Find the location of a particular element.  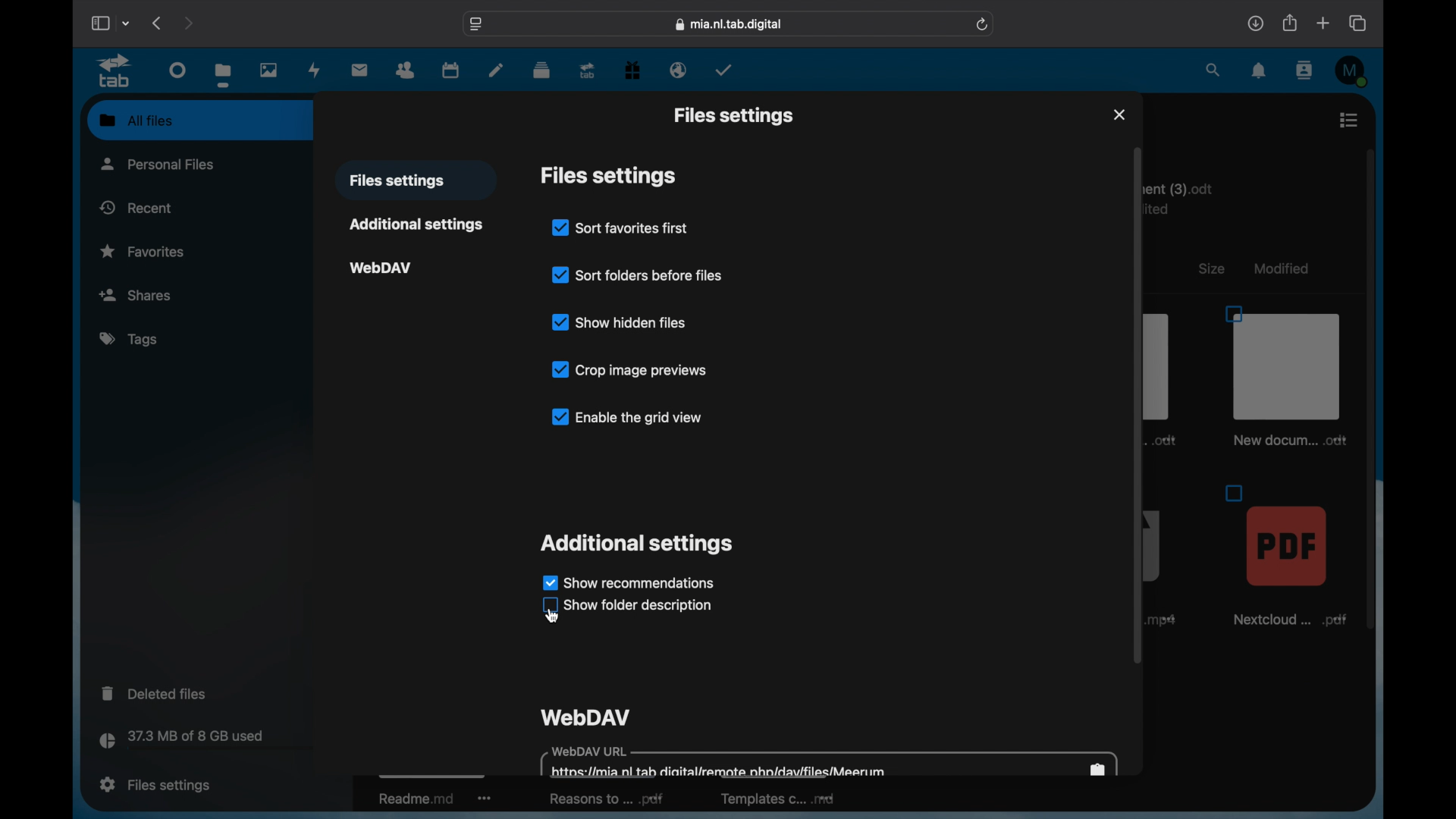

file is located at coordinates (1285, 554).